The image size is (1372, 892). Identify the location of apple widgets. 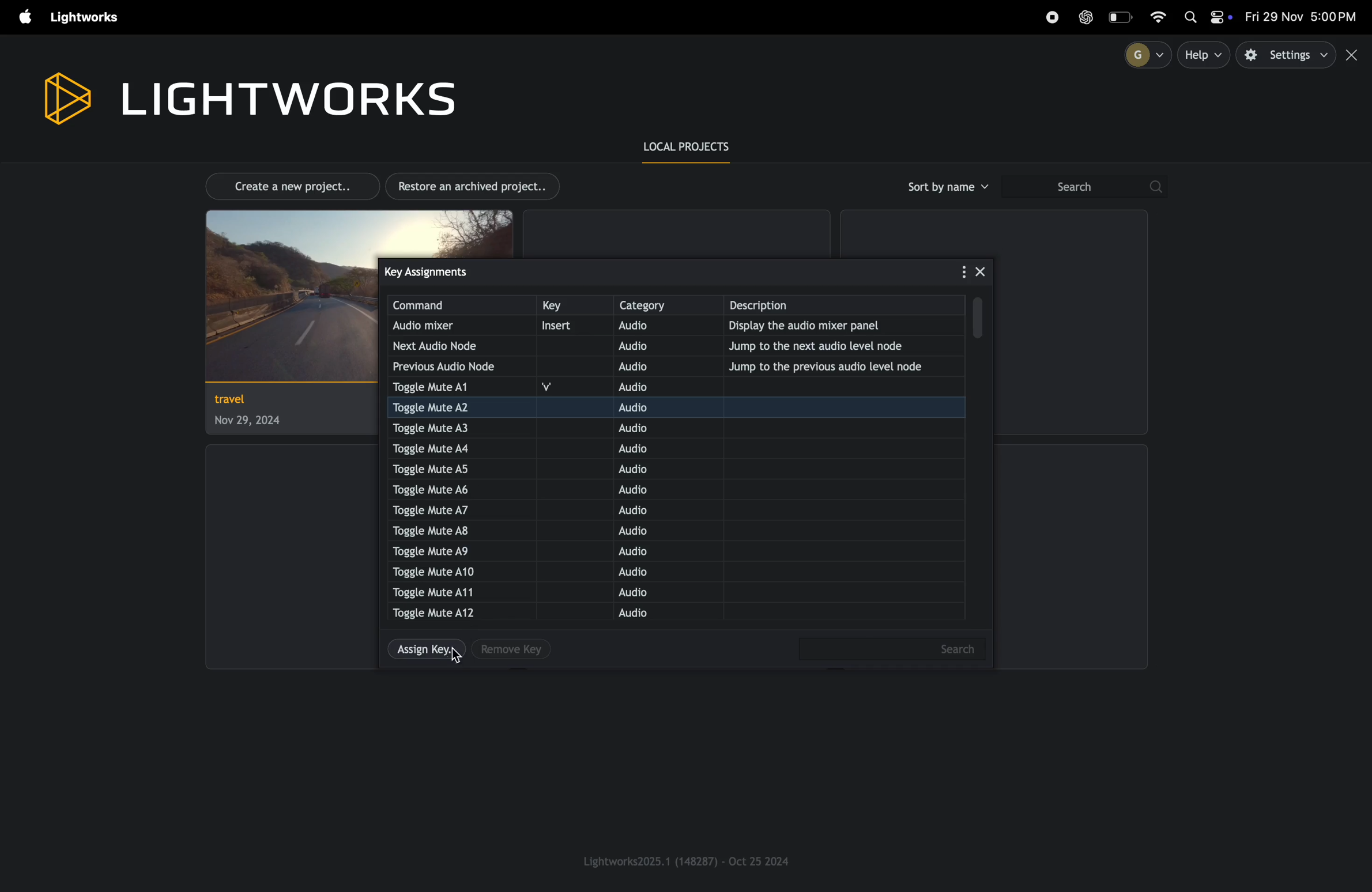
(1207, 18).